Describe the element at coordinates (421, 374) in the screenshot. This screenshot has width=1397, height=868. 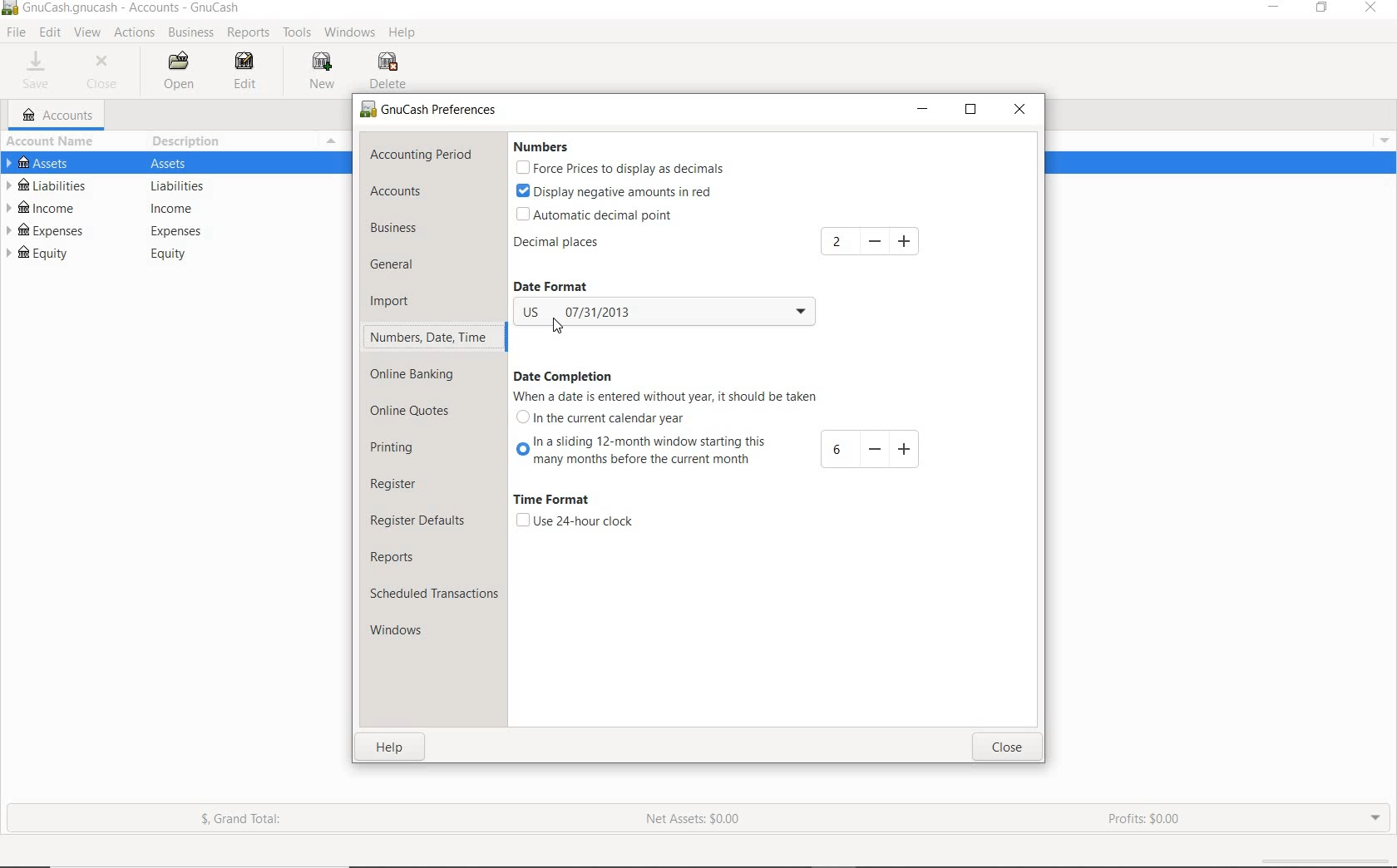
I see `online banking` at that location.